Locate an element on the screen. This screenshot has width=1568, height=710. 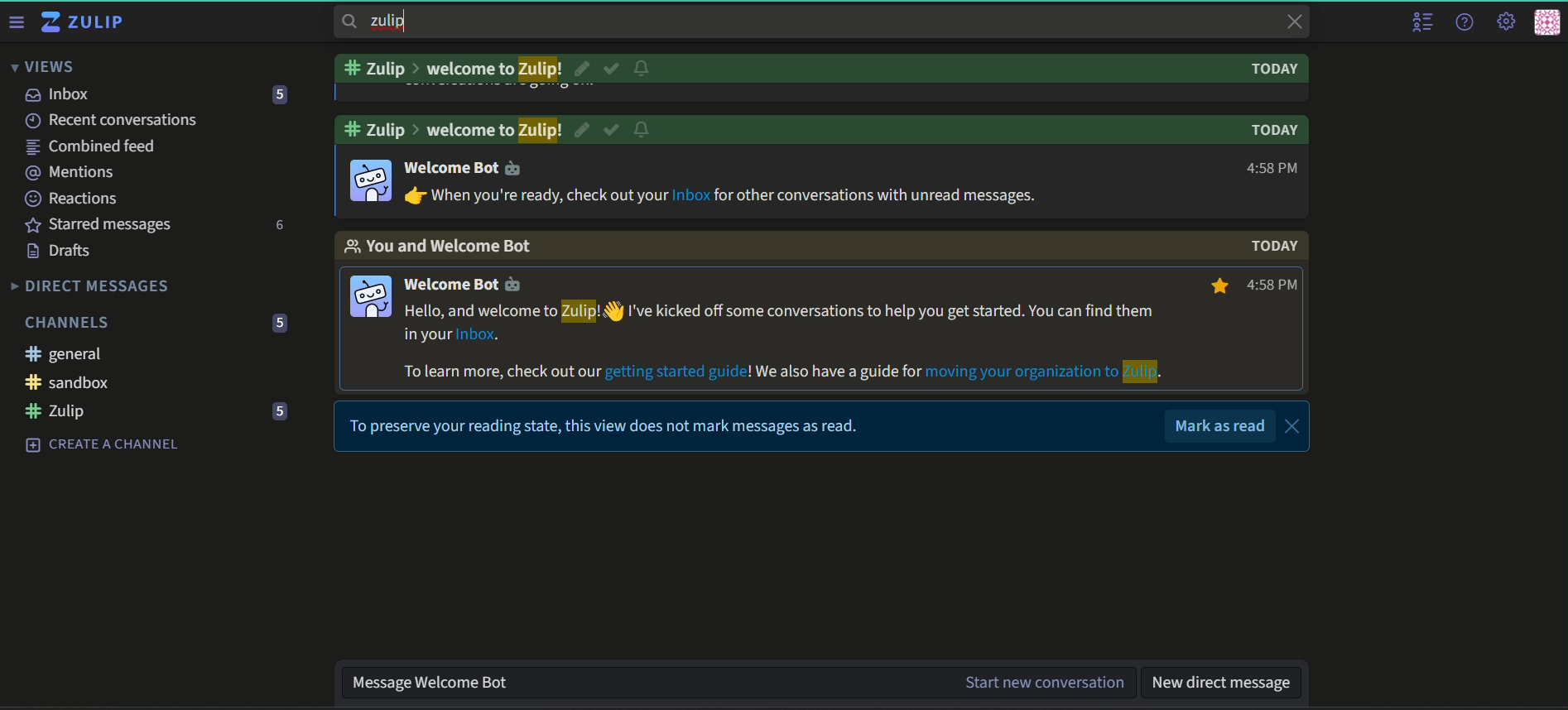
text is located at coordinates (469, 167).